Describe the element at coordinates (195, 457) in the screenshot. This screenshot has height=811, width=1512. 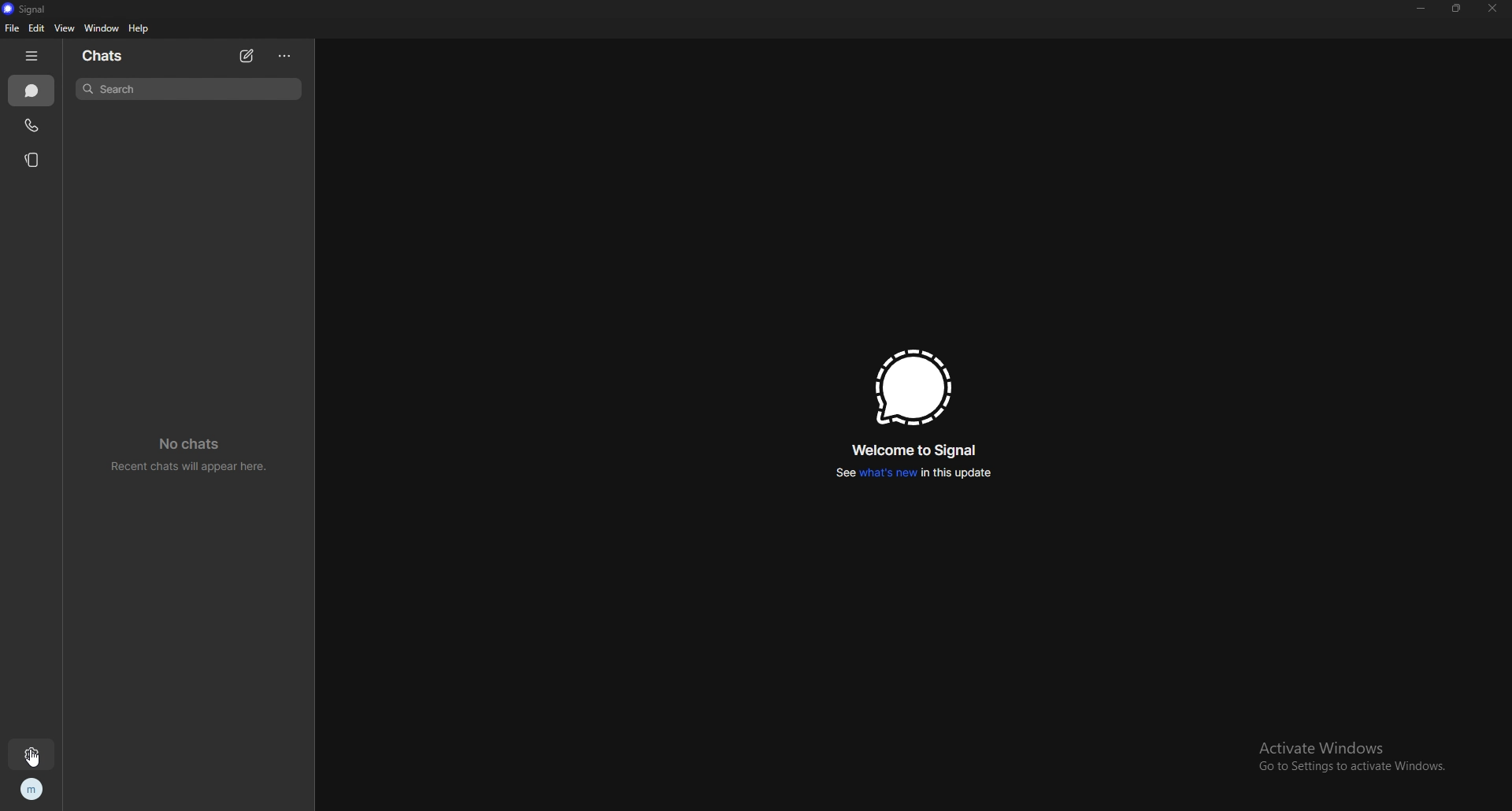
I see `no chats recent chats will appear here` at that location.